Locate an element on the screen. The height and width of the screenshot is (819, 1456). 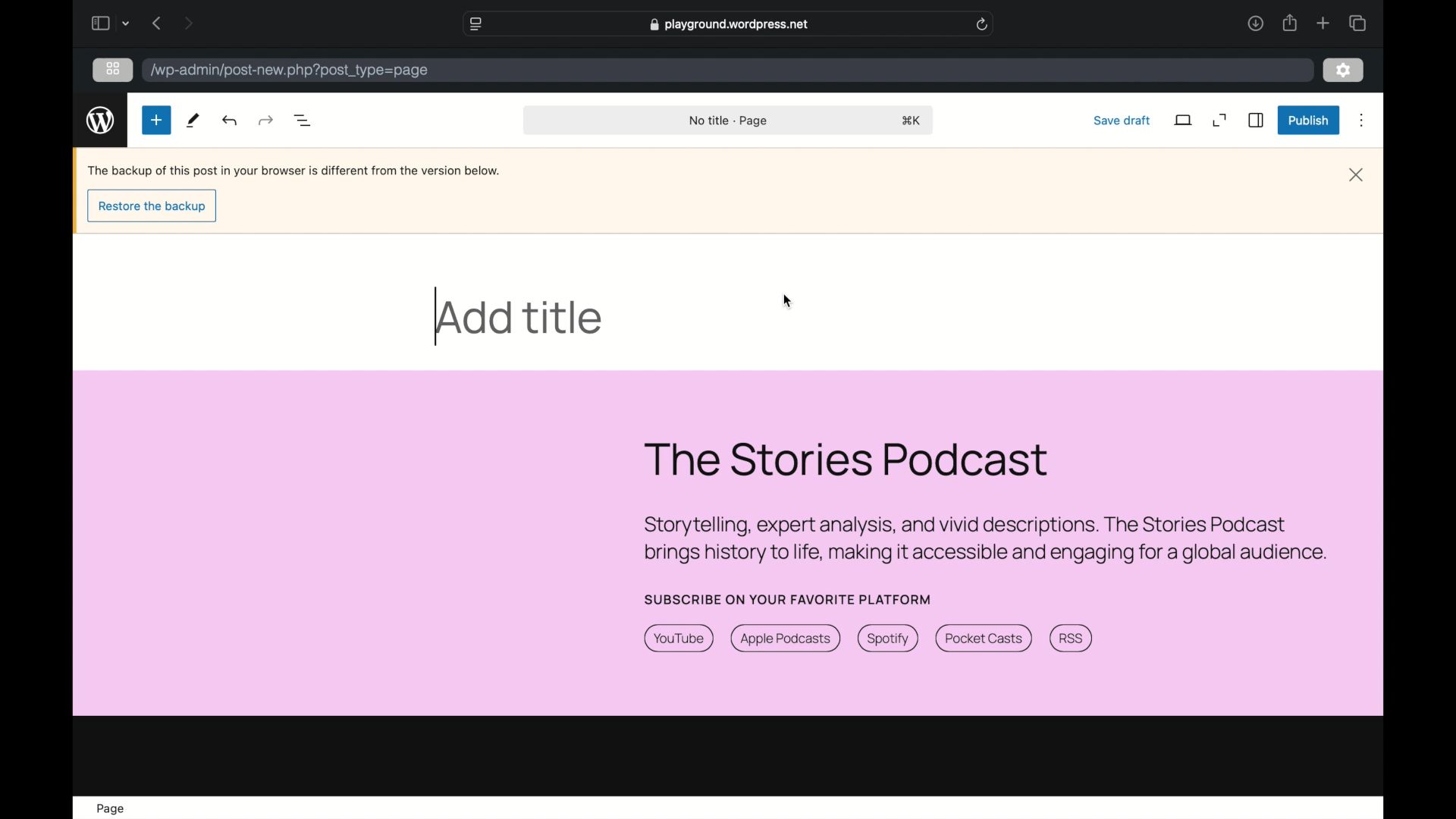
document overview is located at coordinates (303, 121).